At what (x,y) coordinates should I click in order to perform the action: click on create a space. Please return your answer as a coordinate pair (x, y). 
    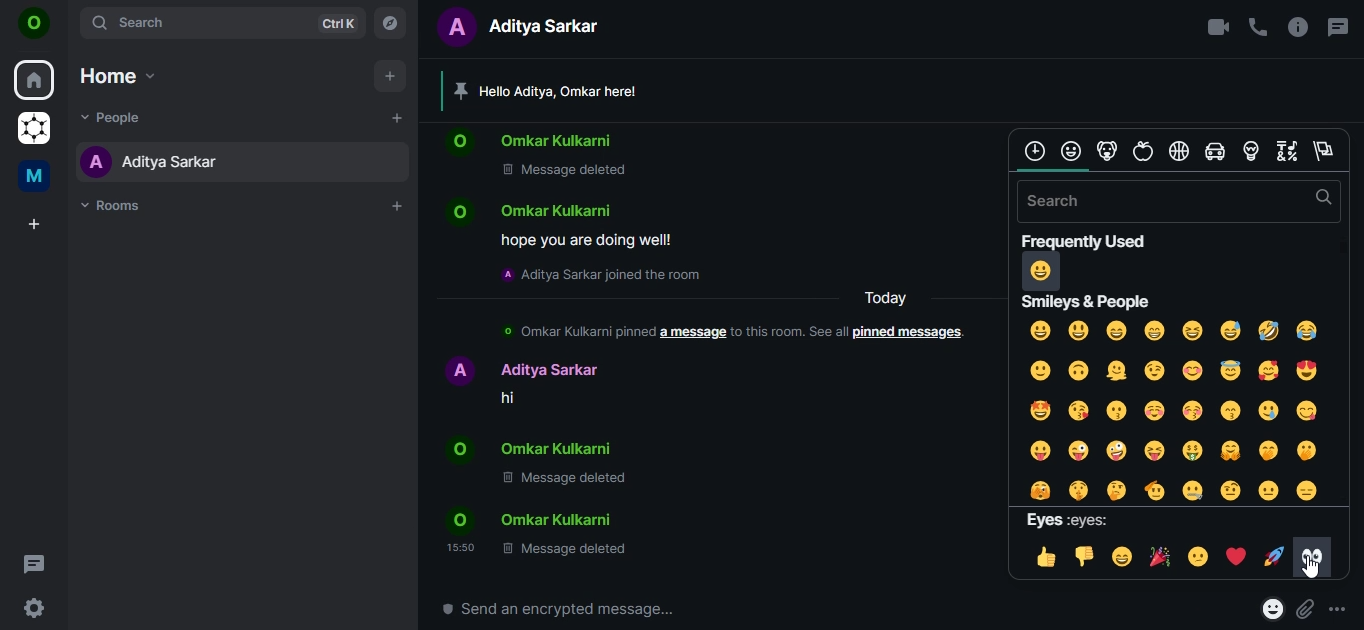
    Looking at the image, I should click on (34, 225).